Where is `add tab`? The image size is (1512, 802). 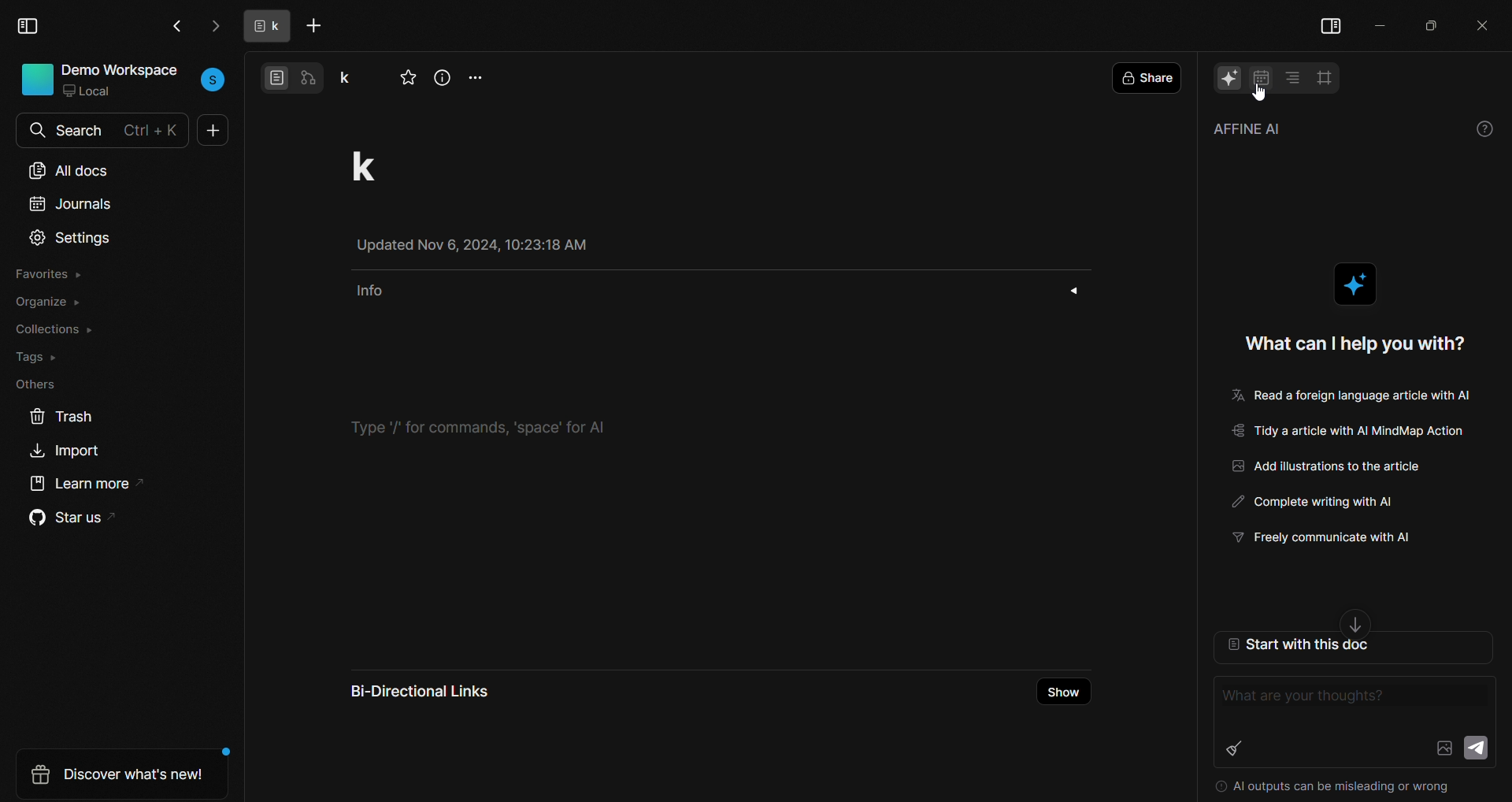 add tab is located at coordinates (317, 26).